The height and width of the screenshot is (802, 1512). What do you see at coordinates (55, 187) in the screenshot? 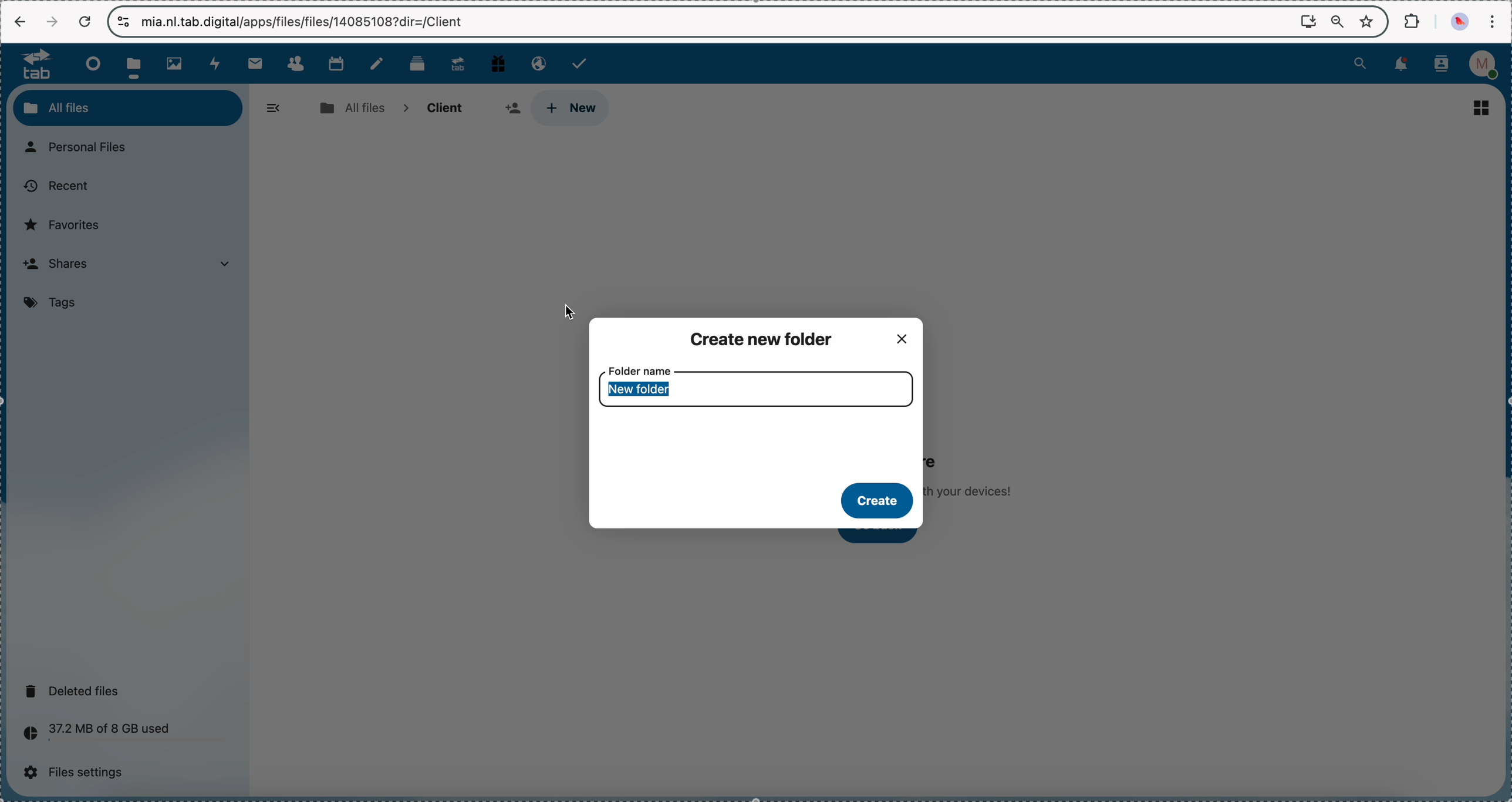
I see `recent` at bounding box center [55, 187].